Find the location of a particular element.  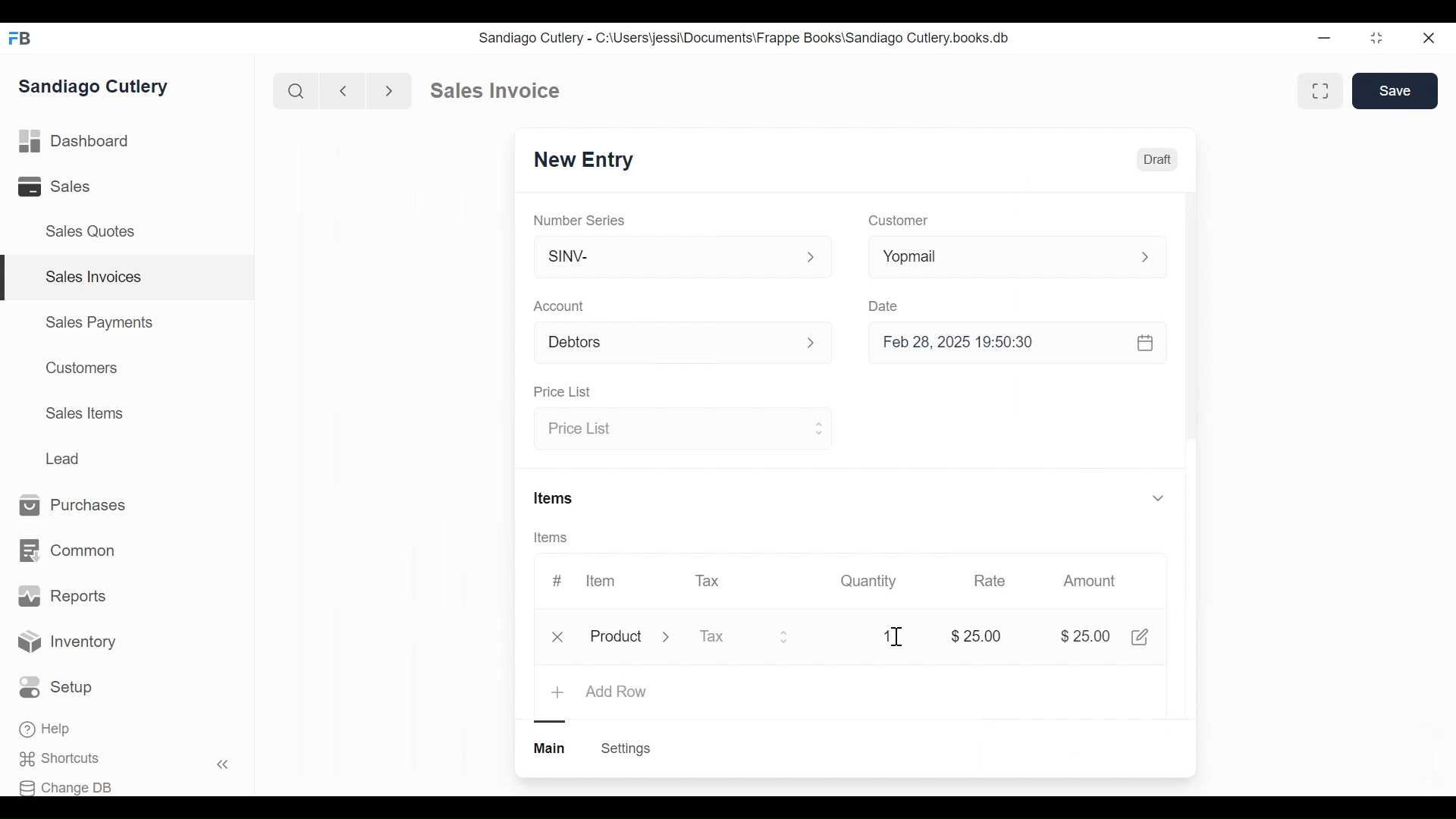

$25.00 is located at coordinates (1087, 636).